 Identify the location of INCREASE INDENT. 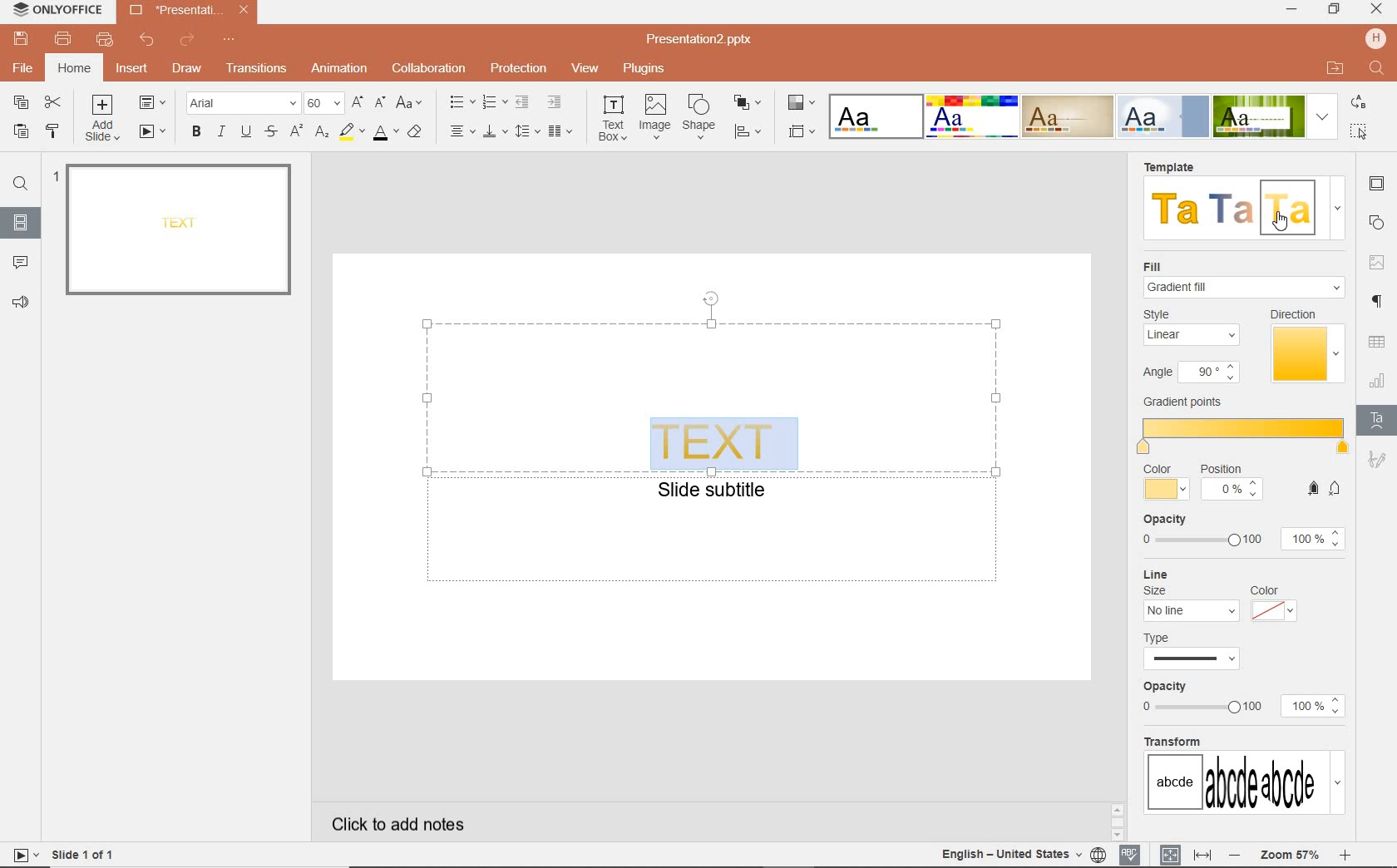
(555, 101).